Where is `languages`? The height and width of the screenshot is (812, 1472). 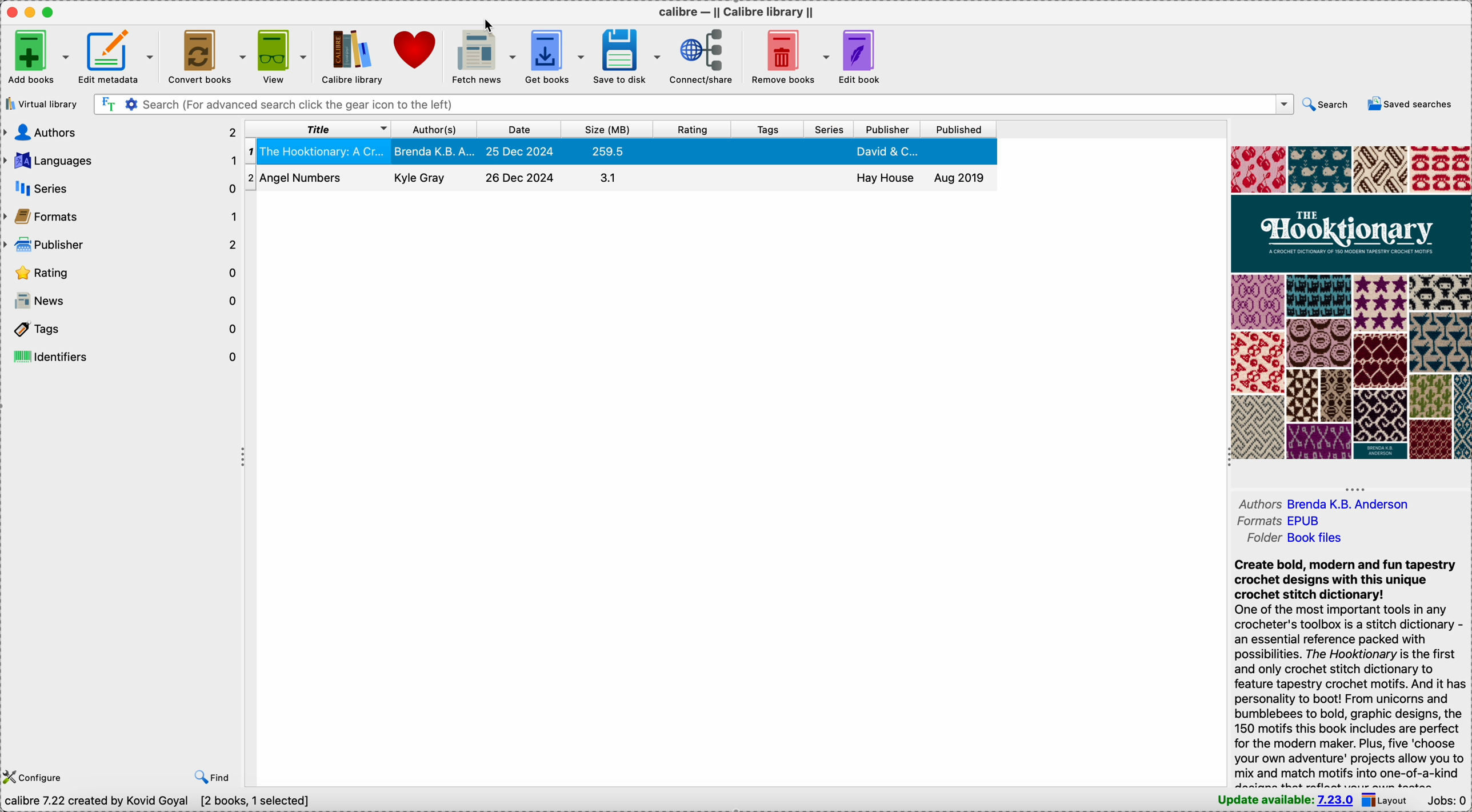 languages is located at coordinates (121, 161).